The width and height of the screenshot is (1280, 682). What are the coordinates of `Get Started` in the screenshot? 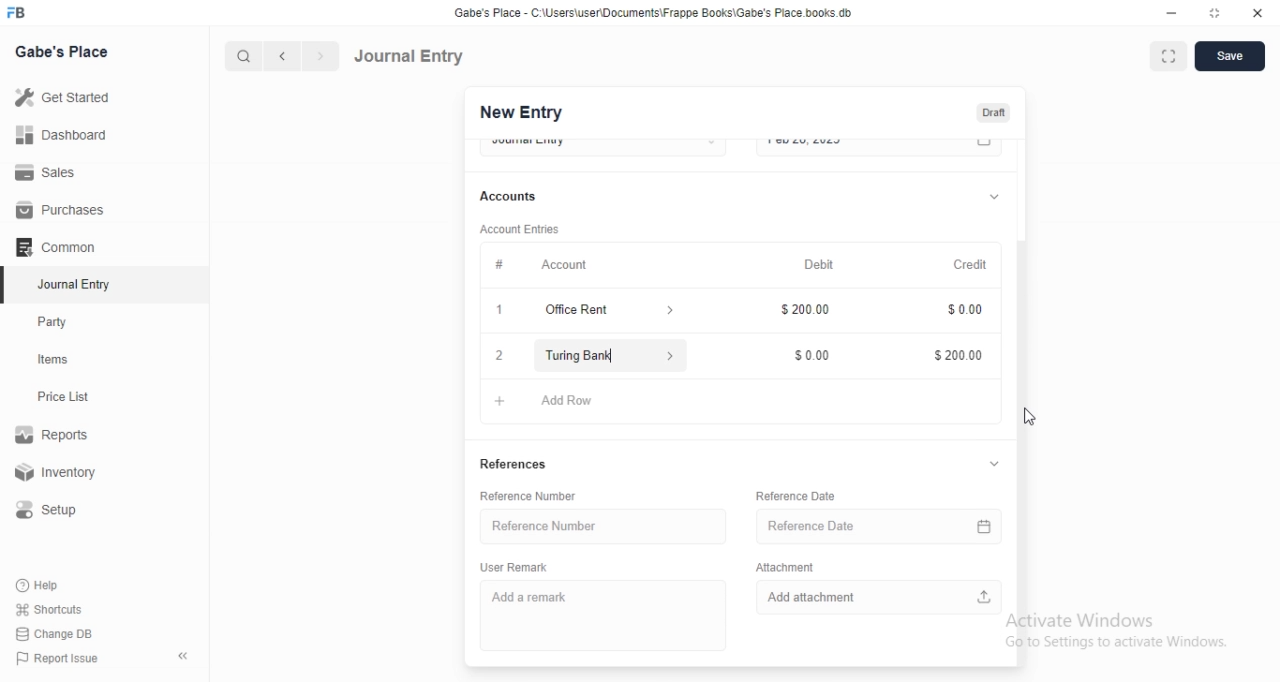 It's located at (61, 99).